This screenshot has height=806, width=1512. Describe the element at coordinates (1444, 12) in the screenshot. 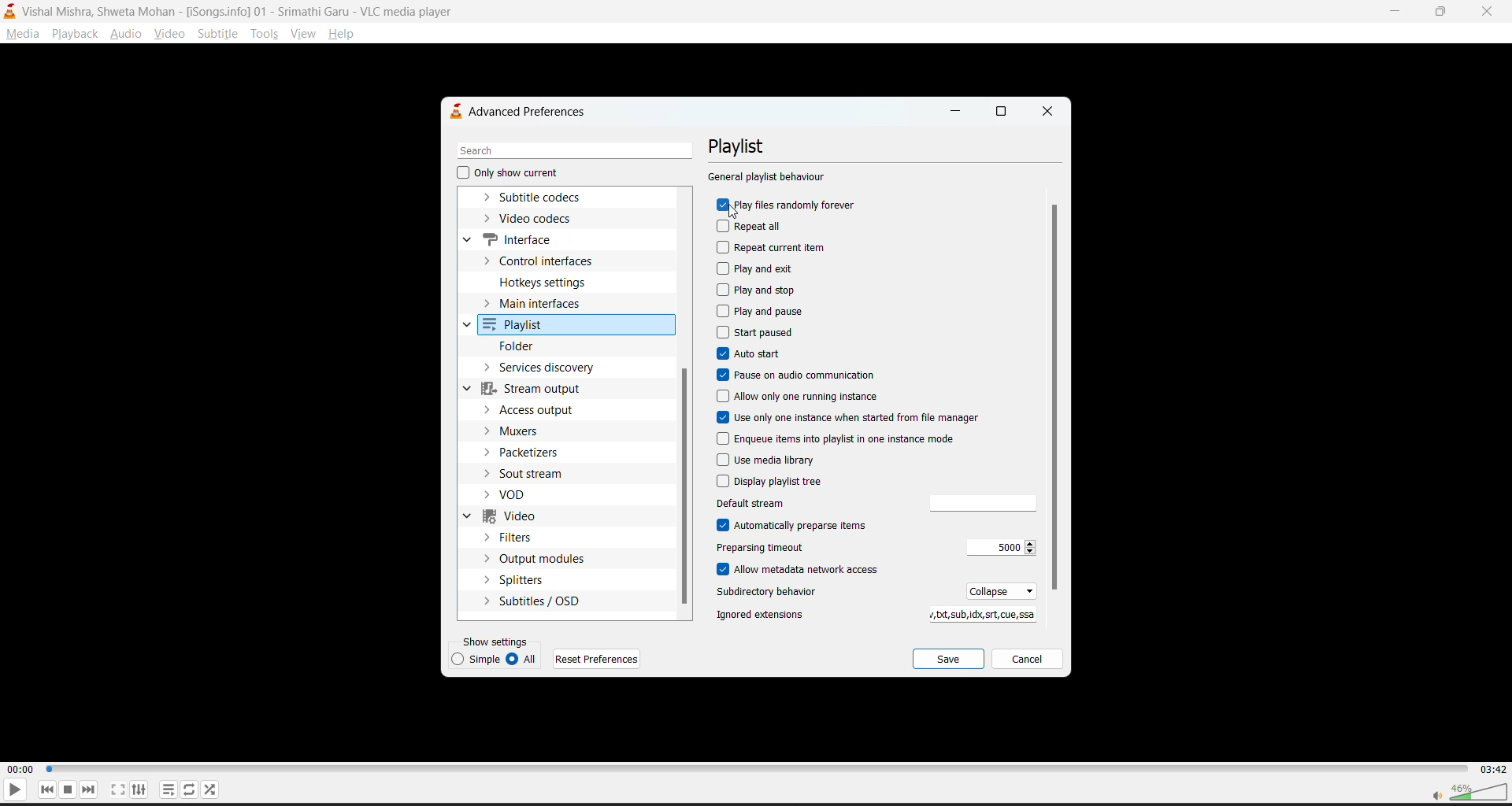

I see `maximize` at that location.